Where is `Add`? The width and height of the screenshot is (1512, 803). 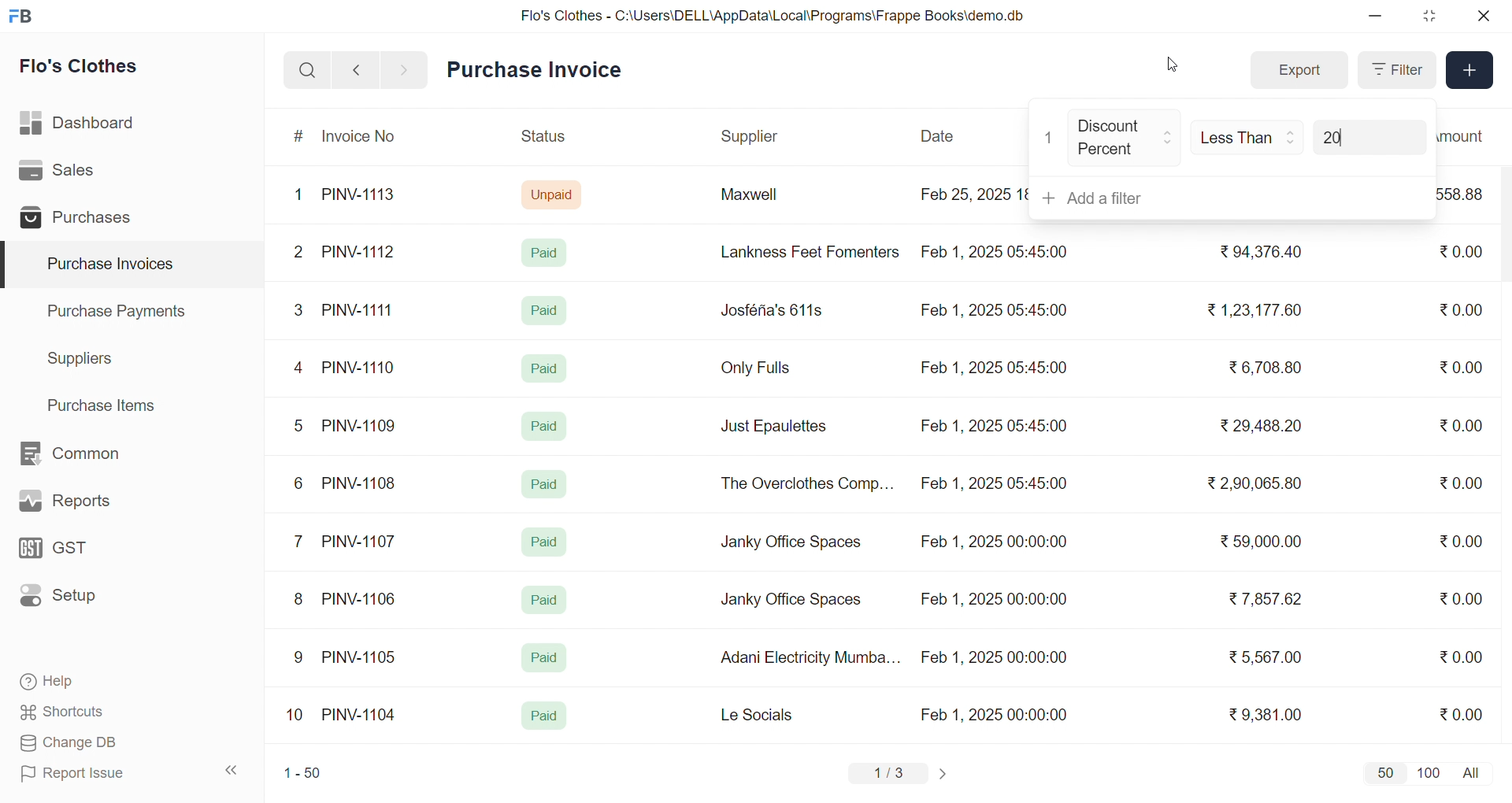
Add is located at coordinates (1470, 71).